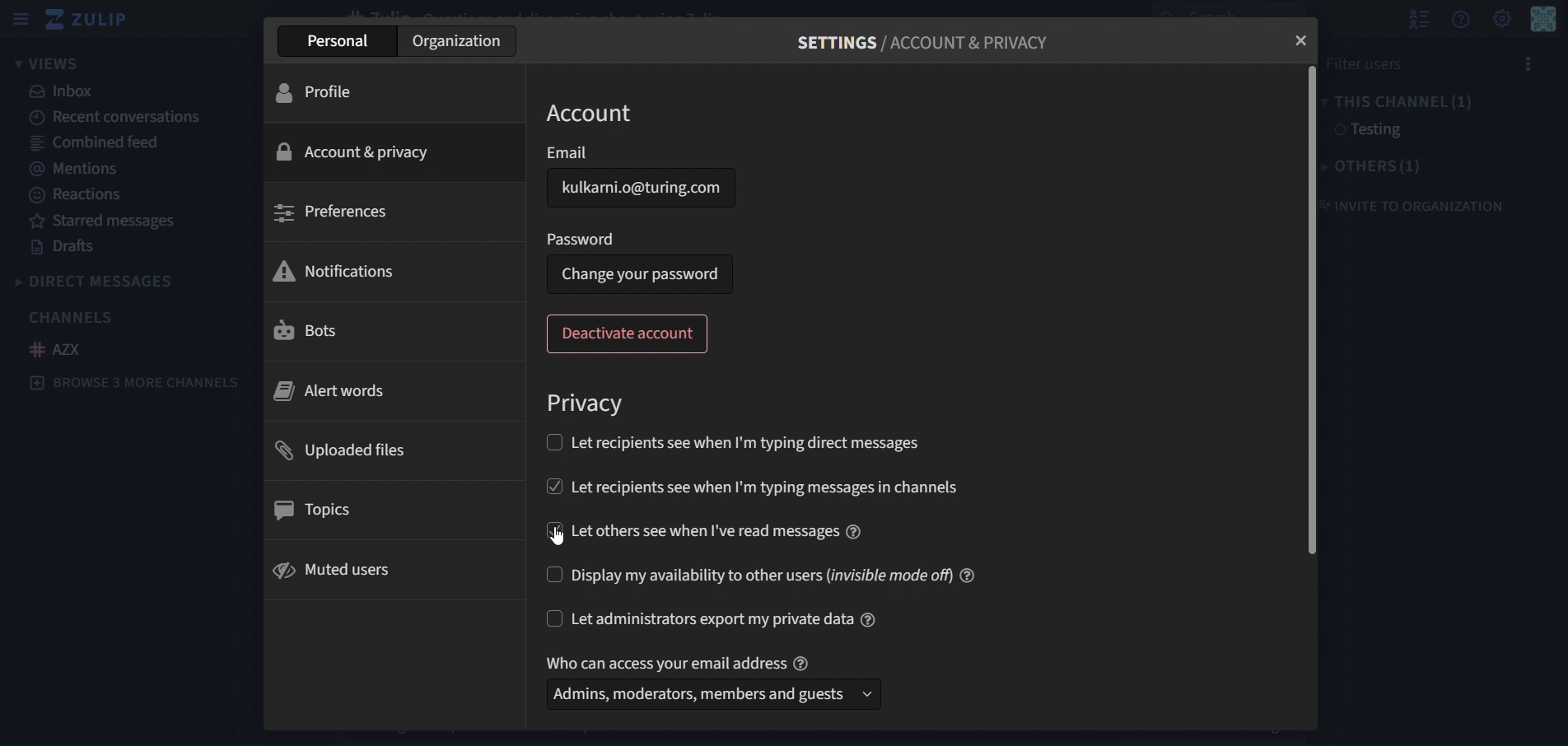 This screenshot has height=746, width=1568. Describe the element at coordinates (1425, 200) in the screenshot. I see `invite to organisation` at that location.